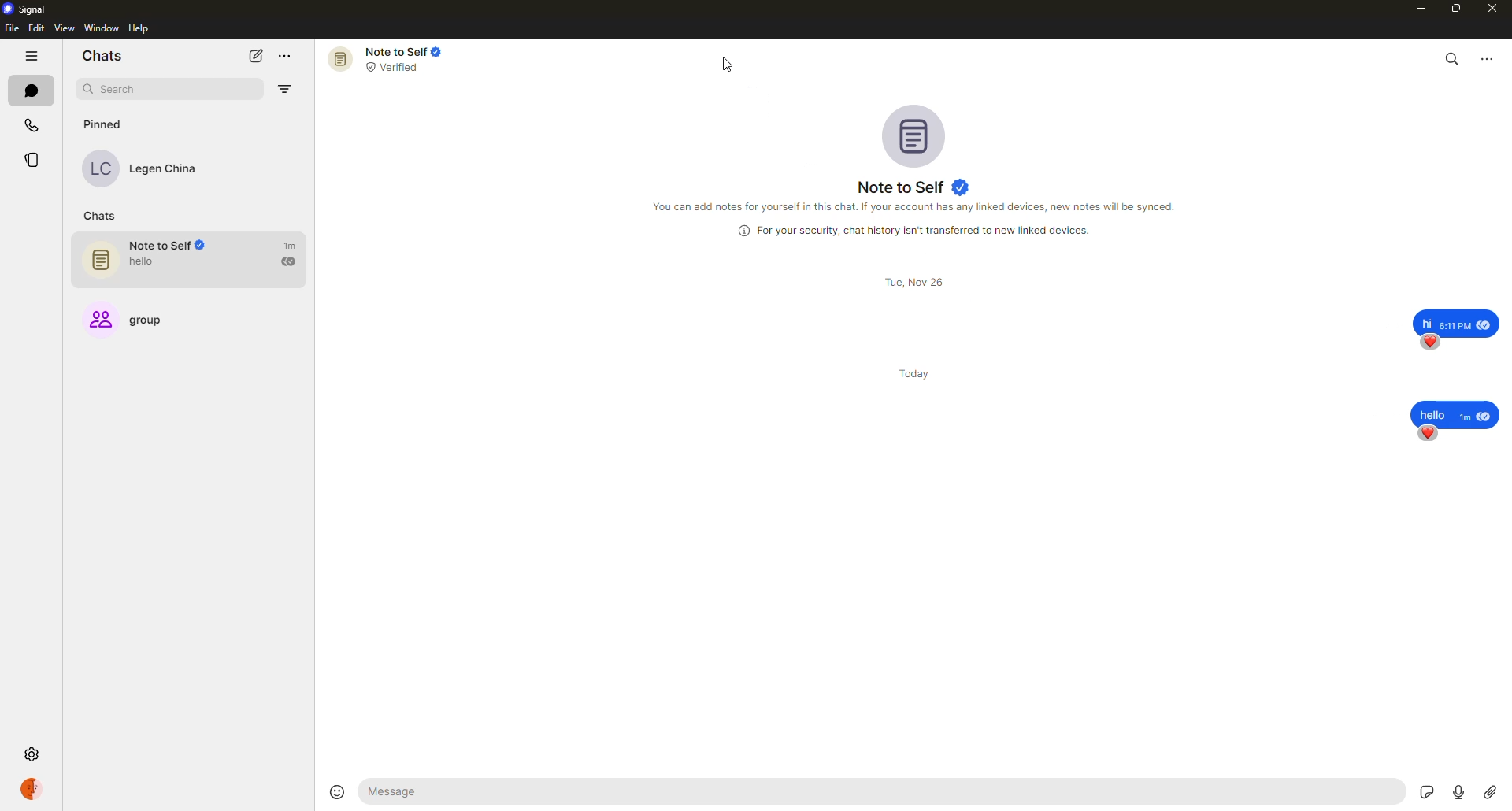 The image size is (1512, 811). I want to click on maximize, so click(1454, 10).